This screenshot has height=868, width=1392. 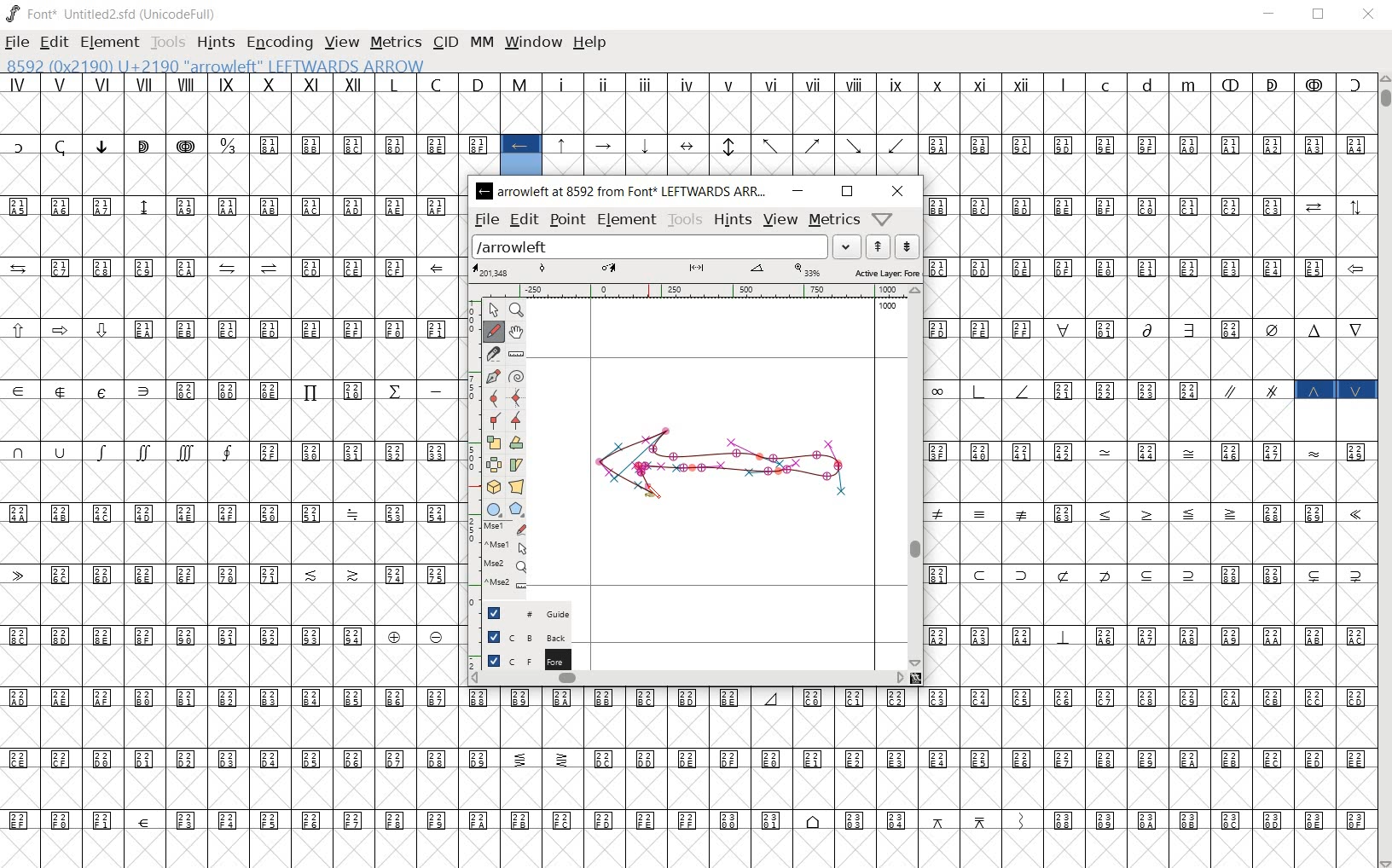 I want to click on view, so click(x=343, y=42).